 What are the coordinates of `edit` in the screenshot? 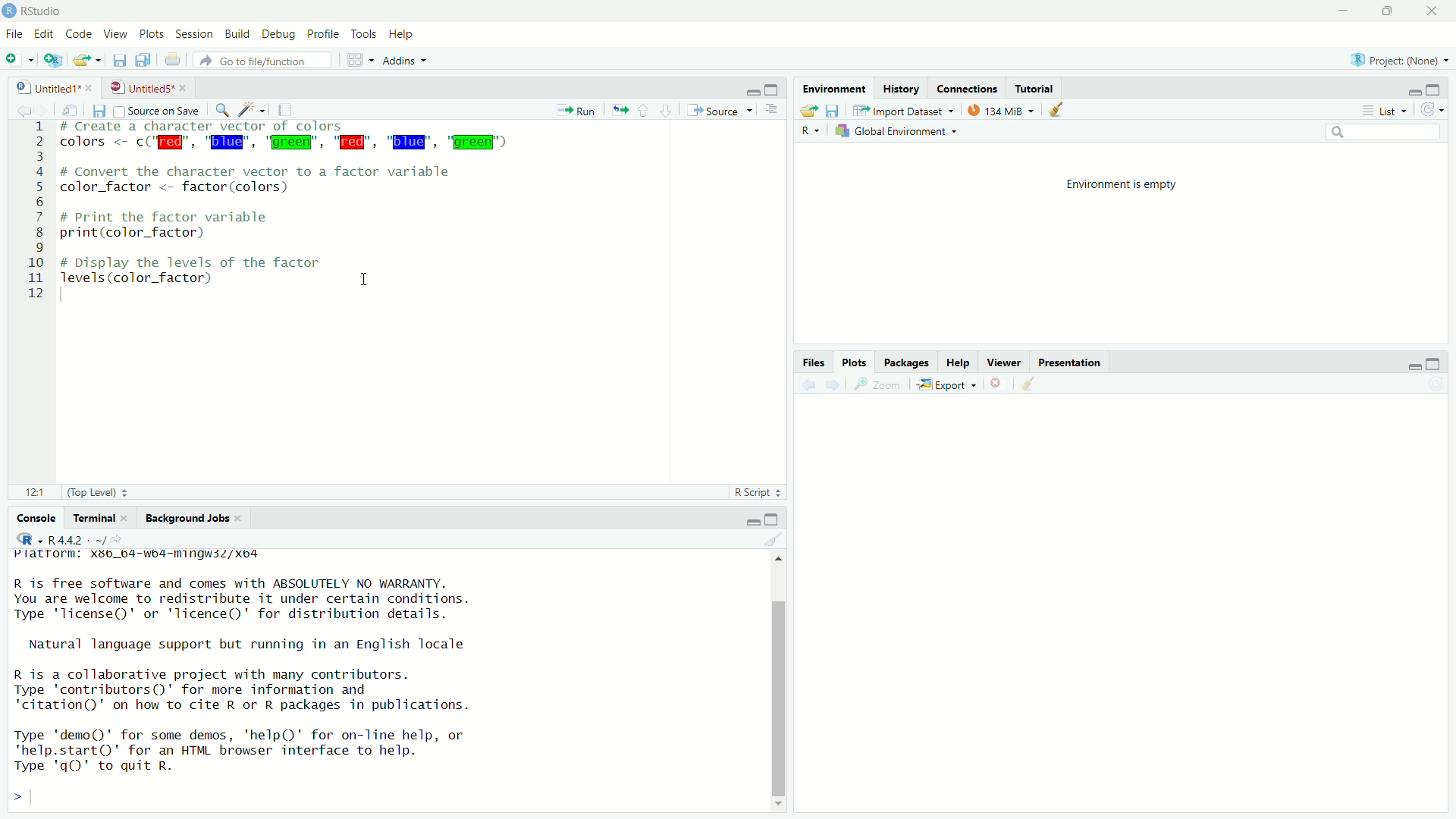 It's located at (44, 34).